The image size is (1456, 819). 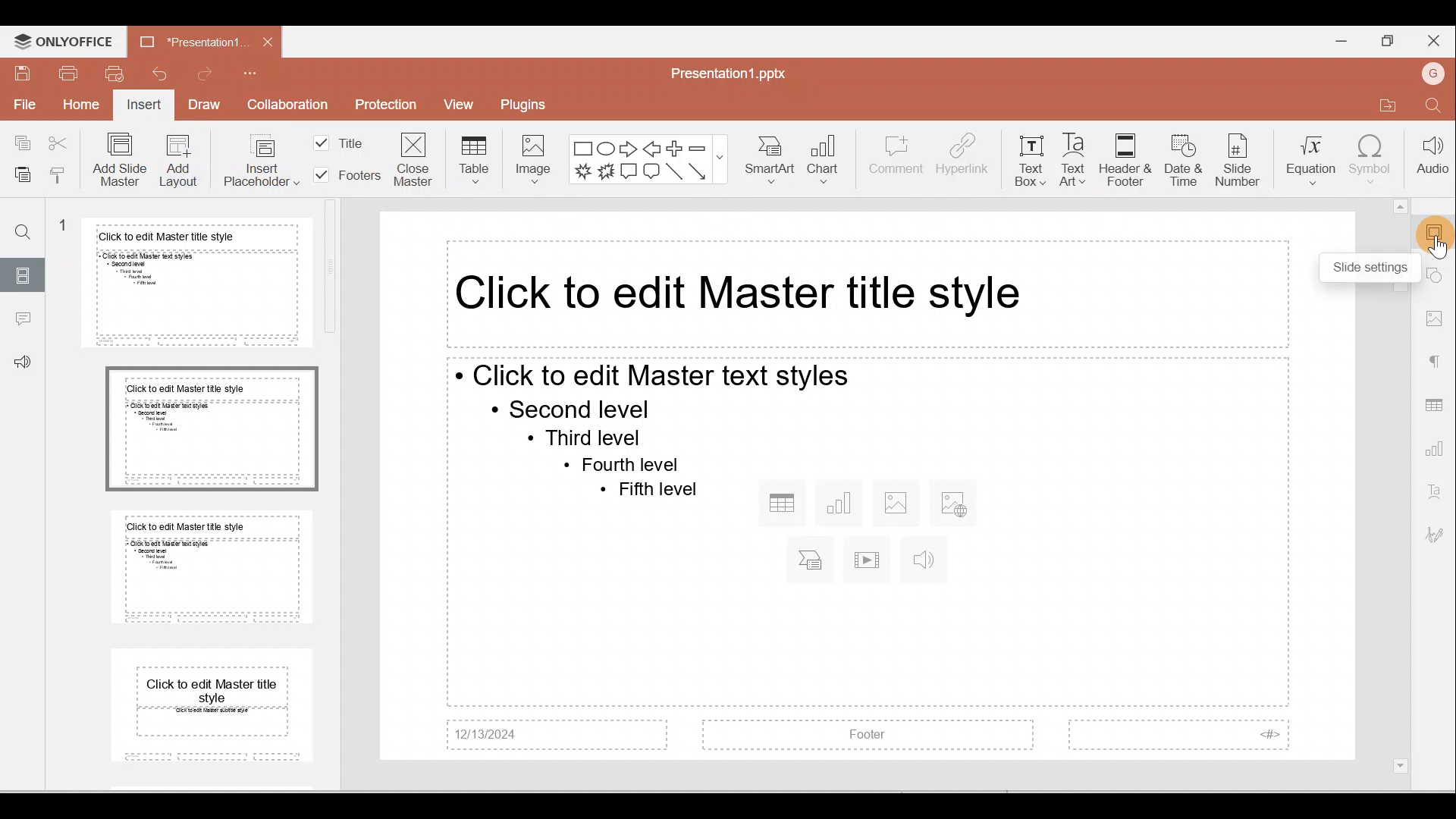 What do you see at coordinates (858, 489) in the screenshot?
I see `Master Presentation slide` at bounding box center [858, 489].